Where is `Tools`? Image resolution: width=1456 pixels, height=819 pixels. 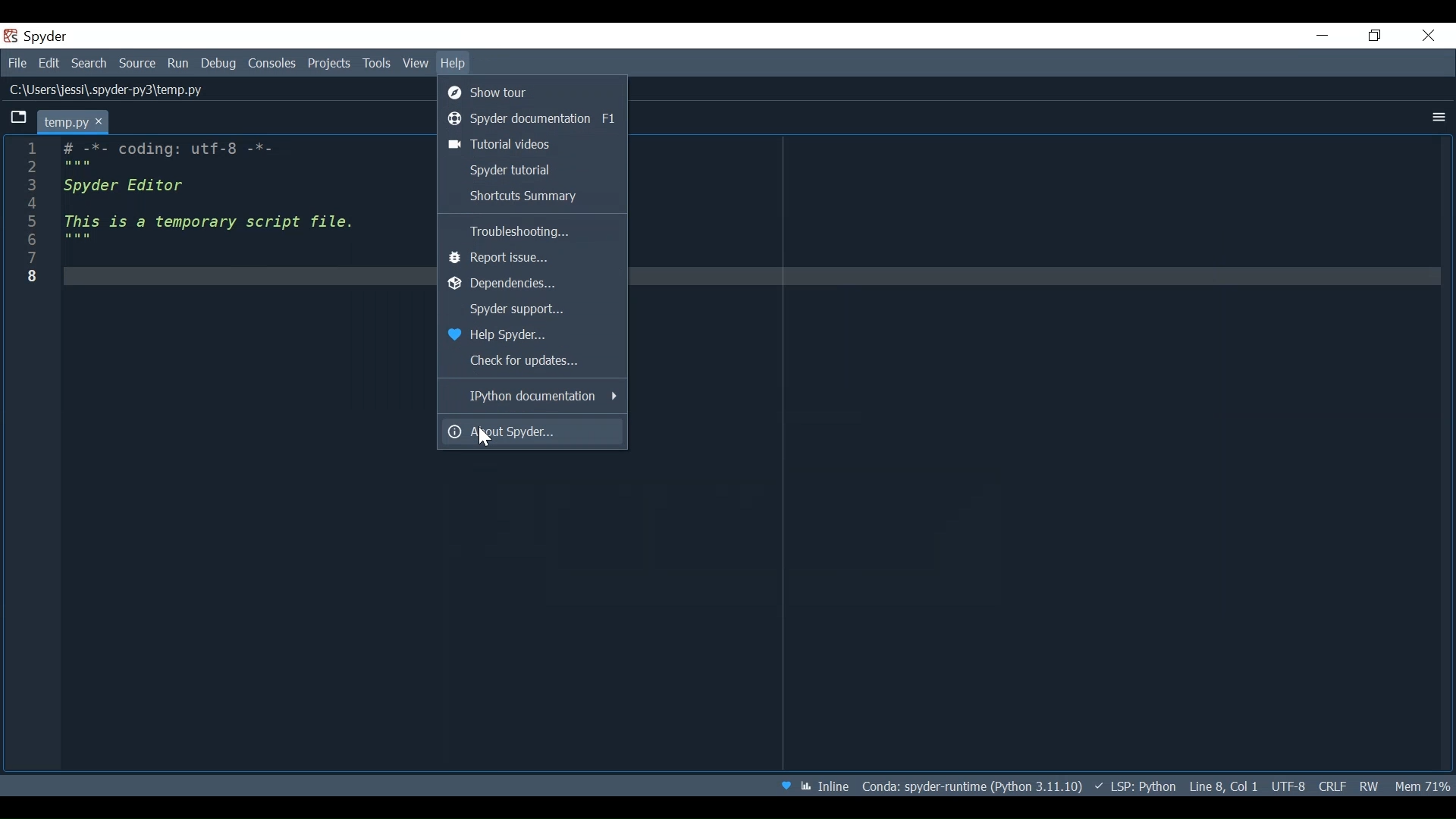 Tools is located at coordinates (376, 65).